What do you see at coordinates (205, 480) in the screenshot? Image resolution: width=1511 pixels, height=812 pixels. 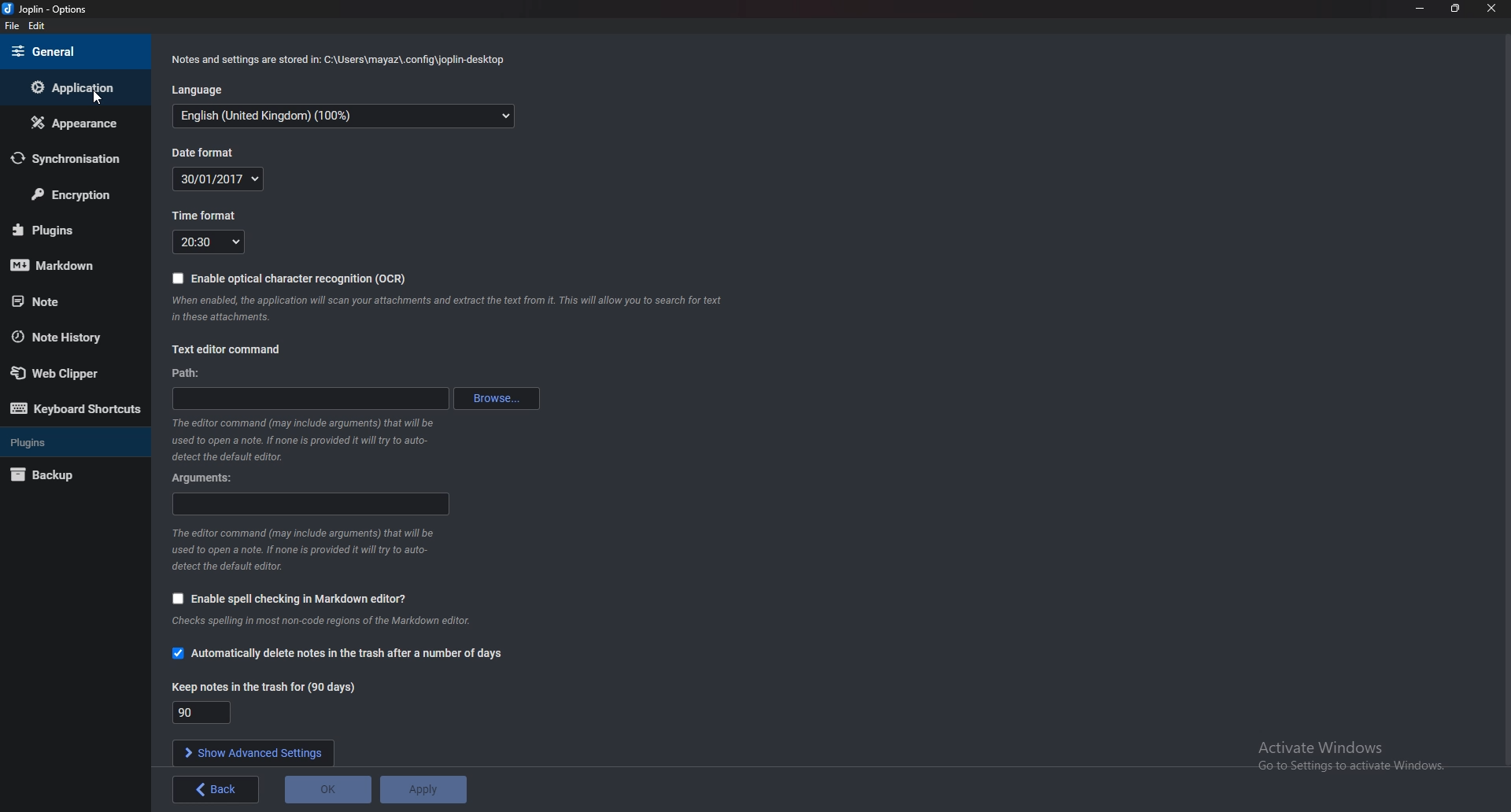 I see `Arguments` at bounding box center [205, 480].